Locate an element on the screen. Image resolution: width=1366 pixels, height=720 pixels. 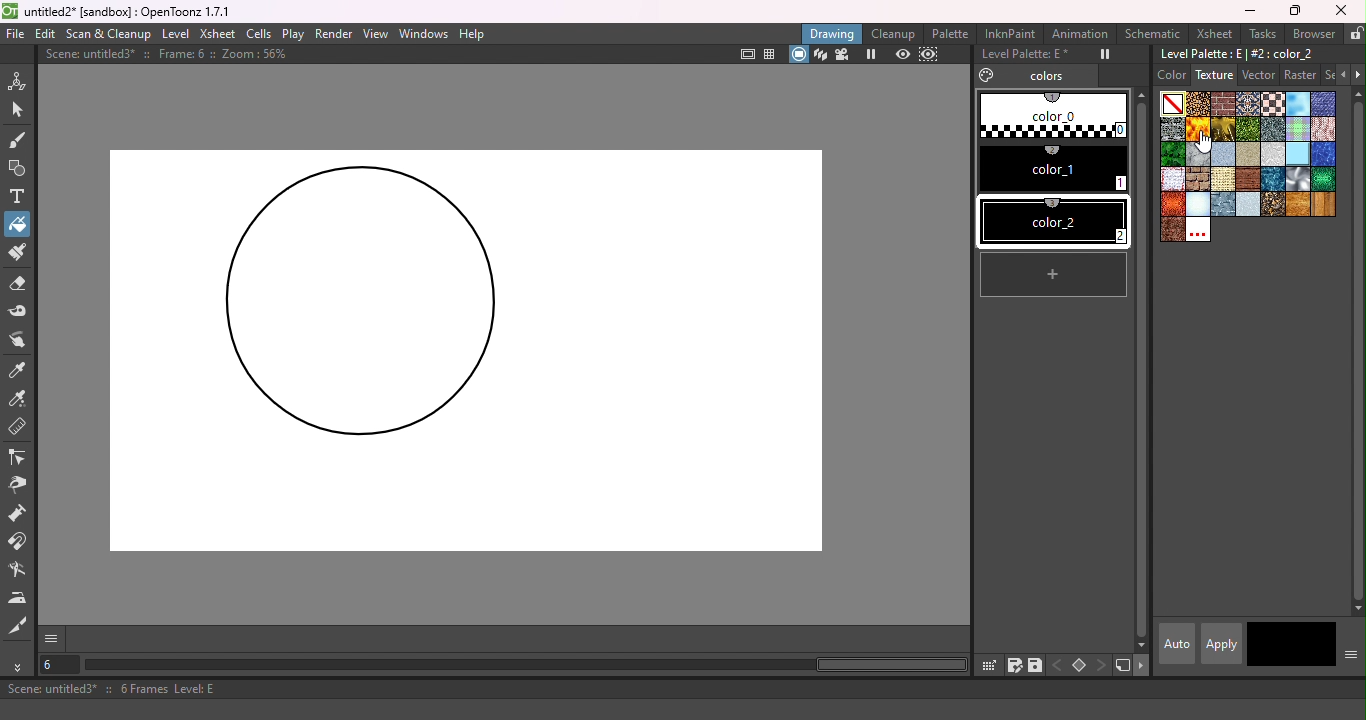
Blender tool is located at coordinates (20, 571).